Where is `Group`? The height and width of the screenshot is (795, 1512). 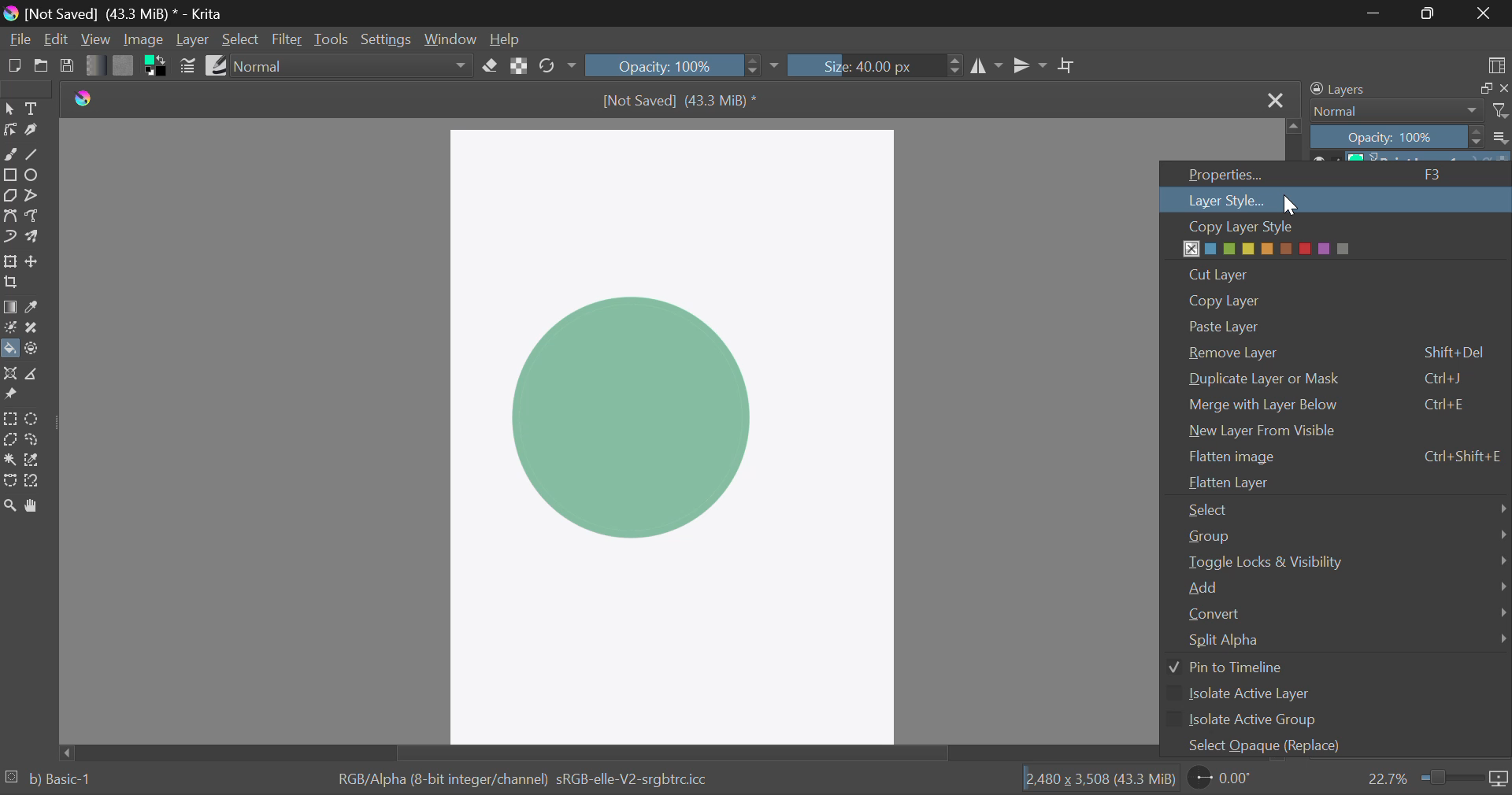
Group is located at coordinates (1343, 535).